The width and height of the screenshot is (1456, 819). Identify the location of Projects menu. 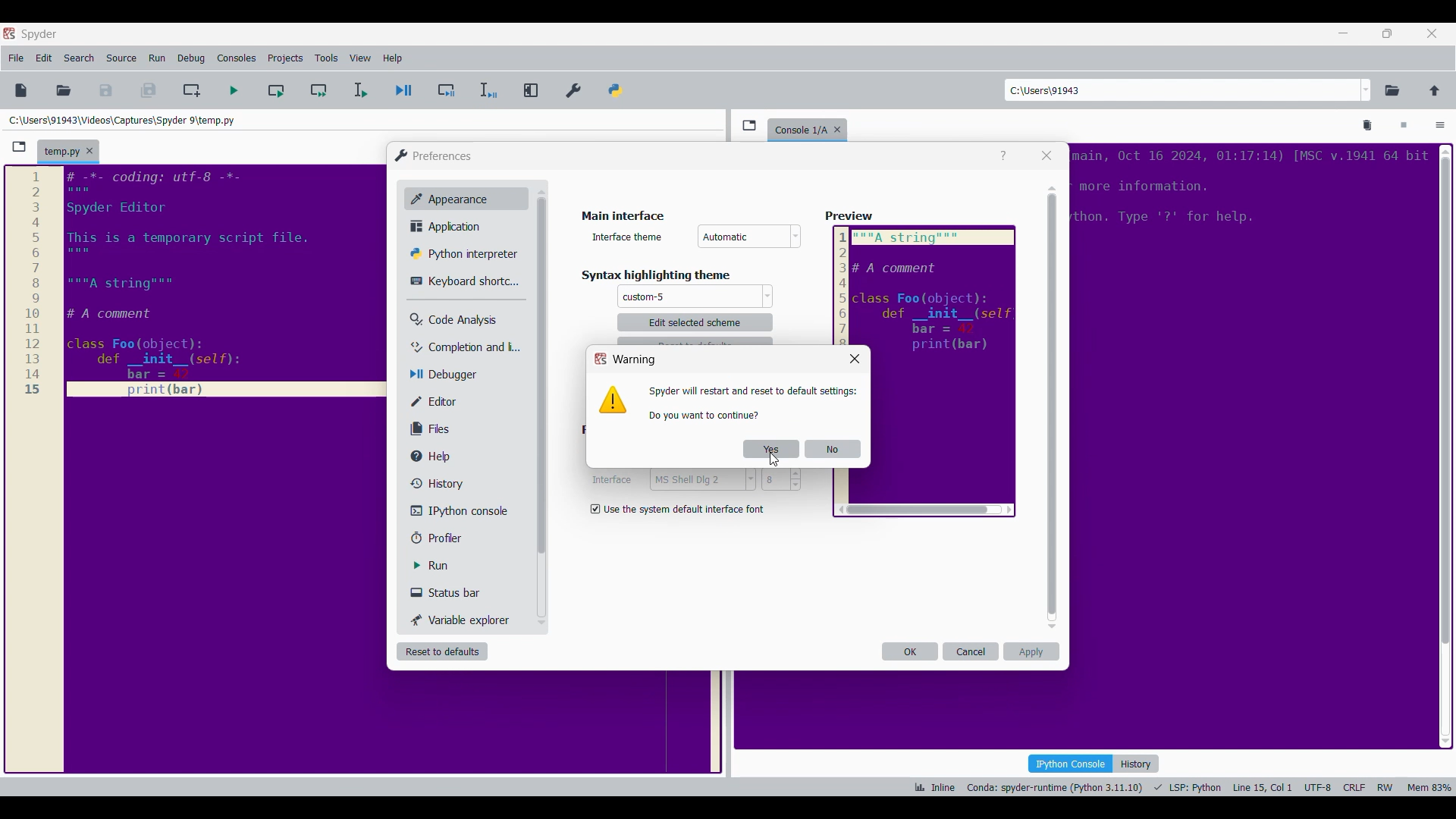
(286, 58).